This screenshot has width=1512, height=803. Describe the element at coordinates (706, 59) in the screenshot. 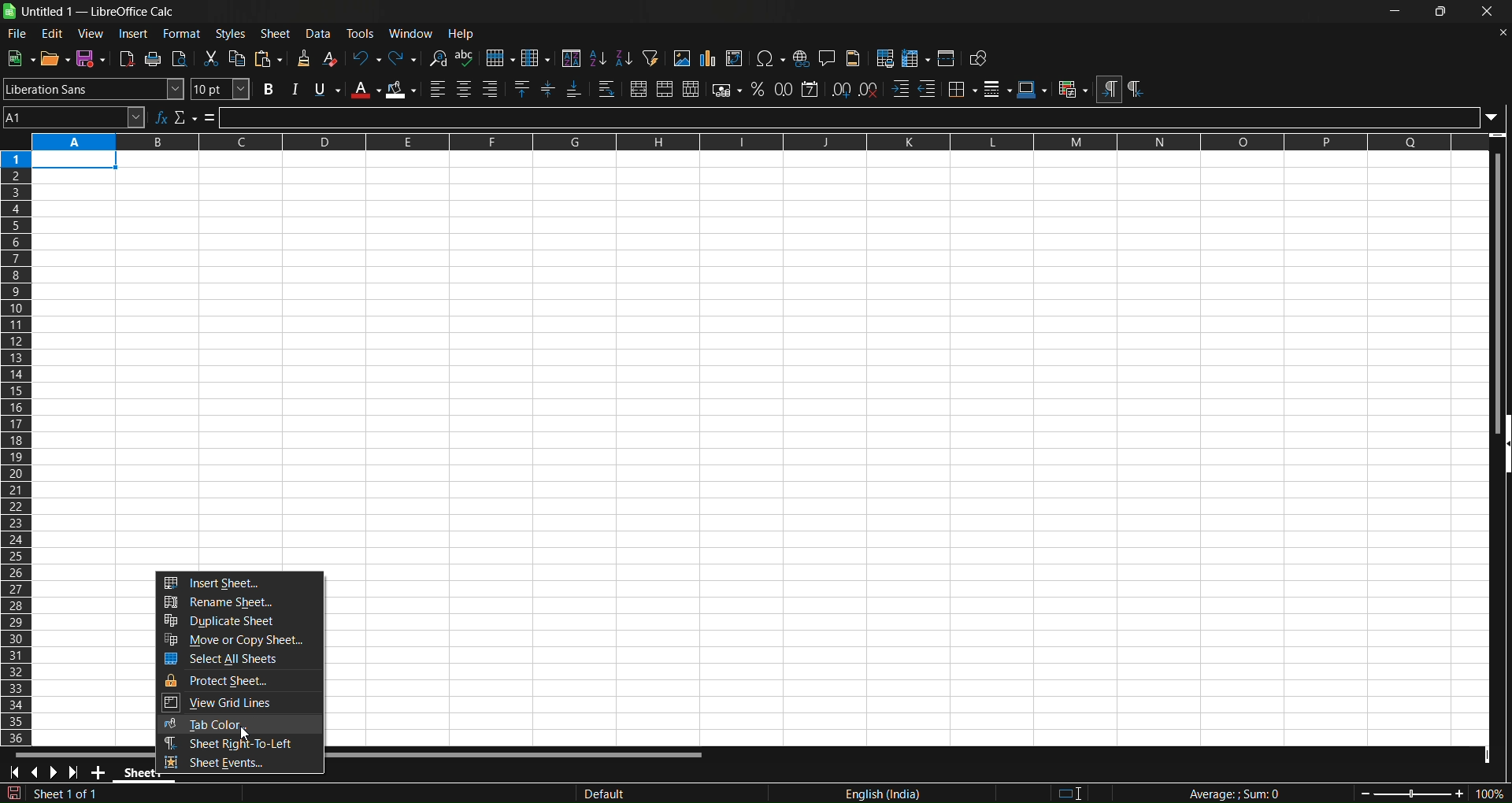

I see `insert chart` at that location.